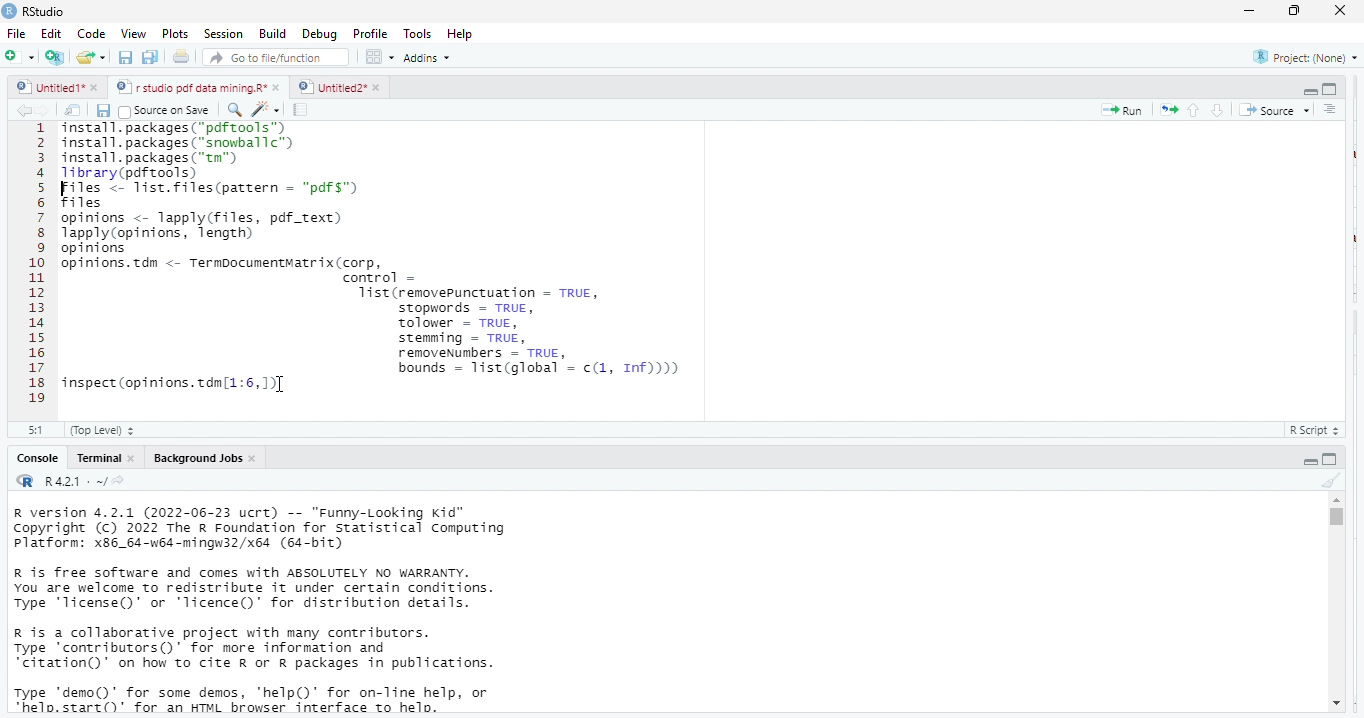  Describe the element at coordinates (1330, 478) in the screenshot. I see `clear console` at that location.